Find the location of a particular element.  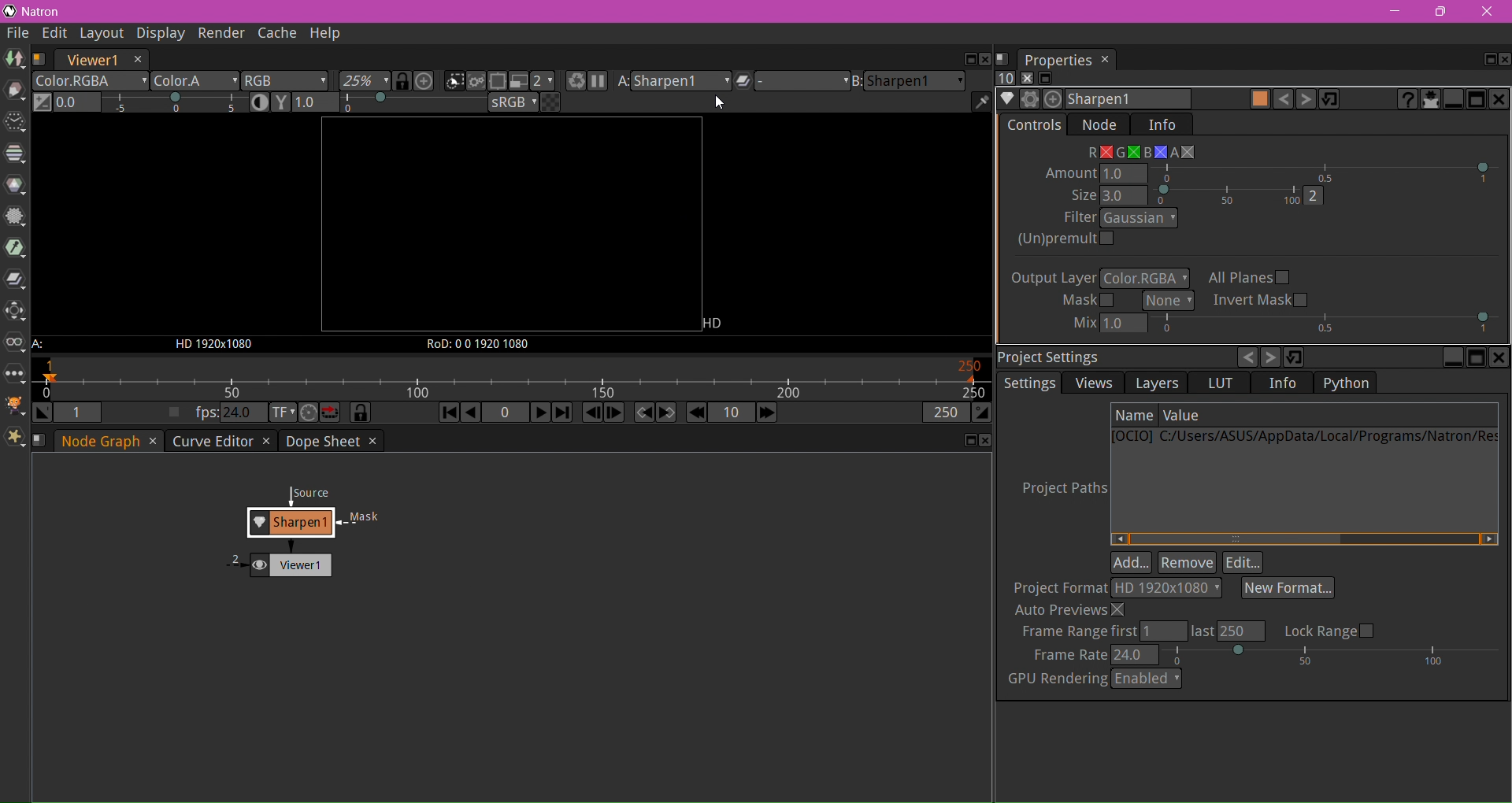

NatronOfxParamaProcessG is located at coordinates (1129, 153).